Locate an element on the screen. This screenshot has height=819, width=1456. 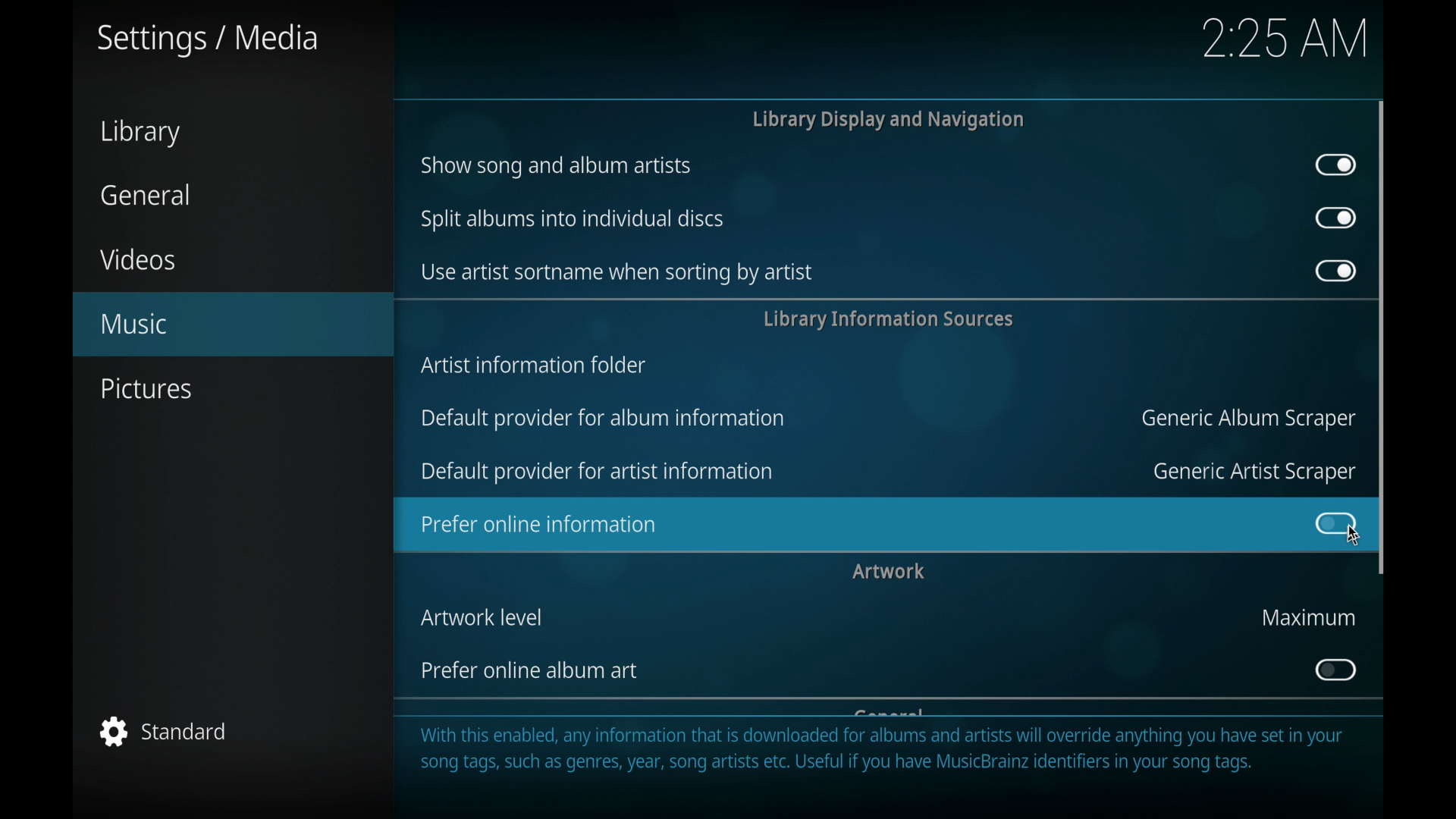
toggle button is located at coordinates (1335, 218).